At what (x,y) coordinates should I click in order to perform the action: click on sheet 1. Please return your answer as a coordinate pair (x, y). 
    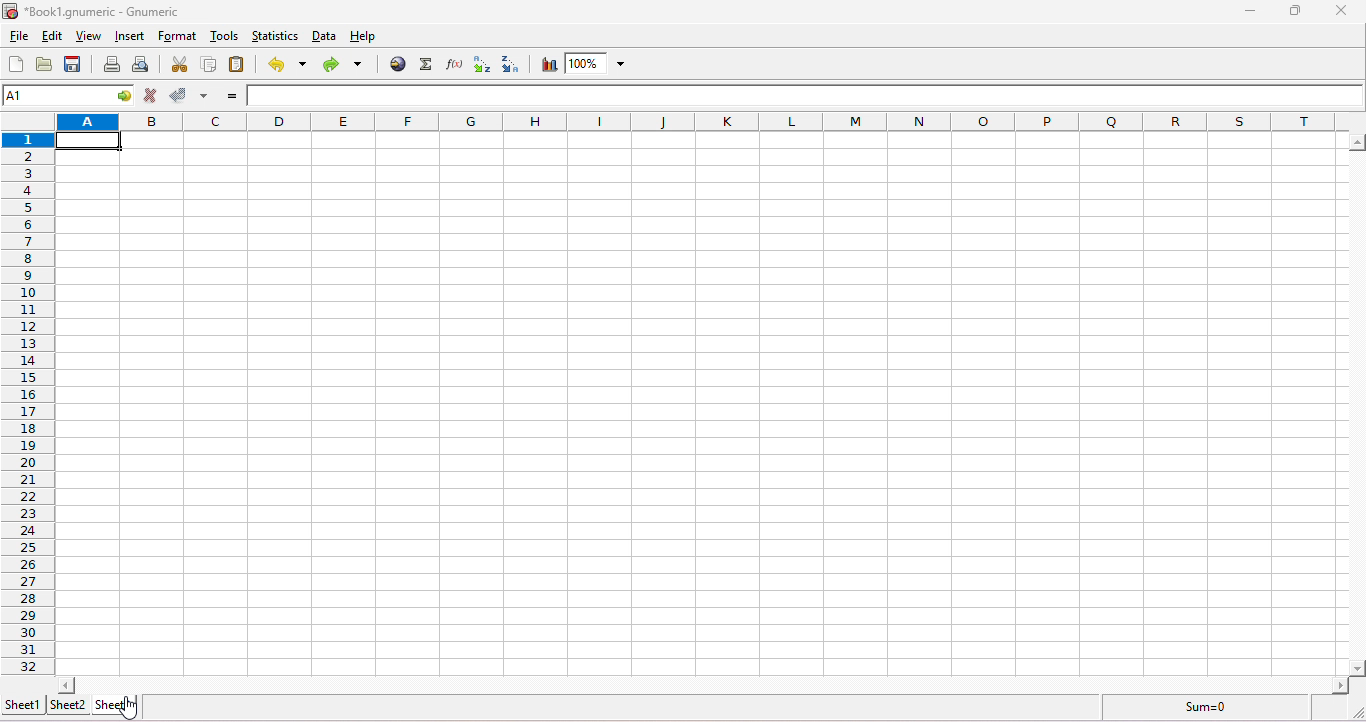
    Looking at the image, I should click on (23, 708).